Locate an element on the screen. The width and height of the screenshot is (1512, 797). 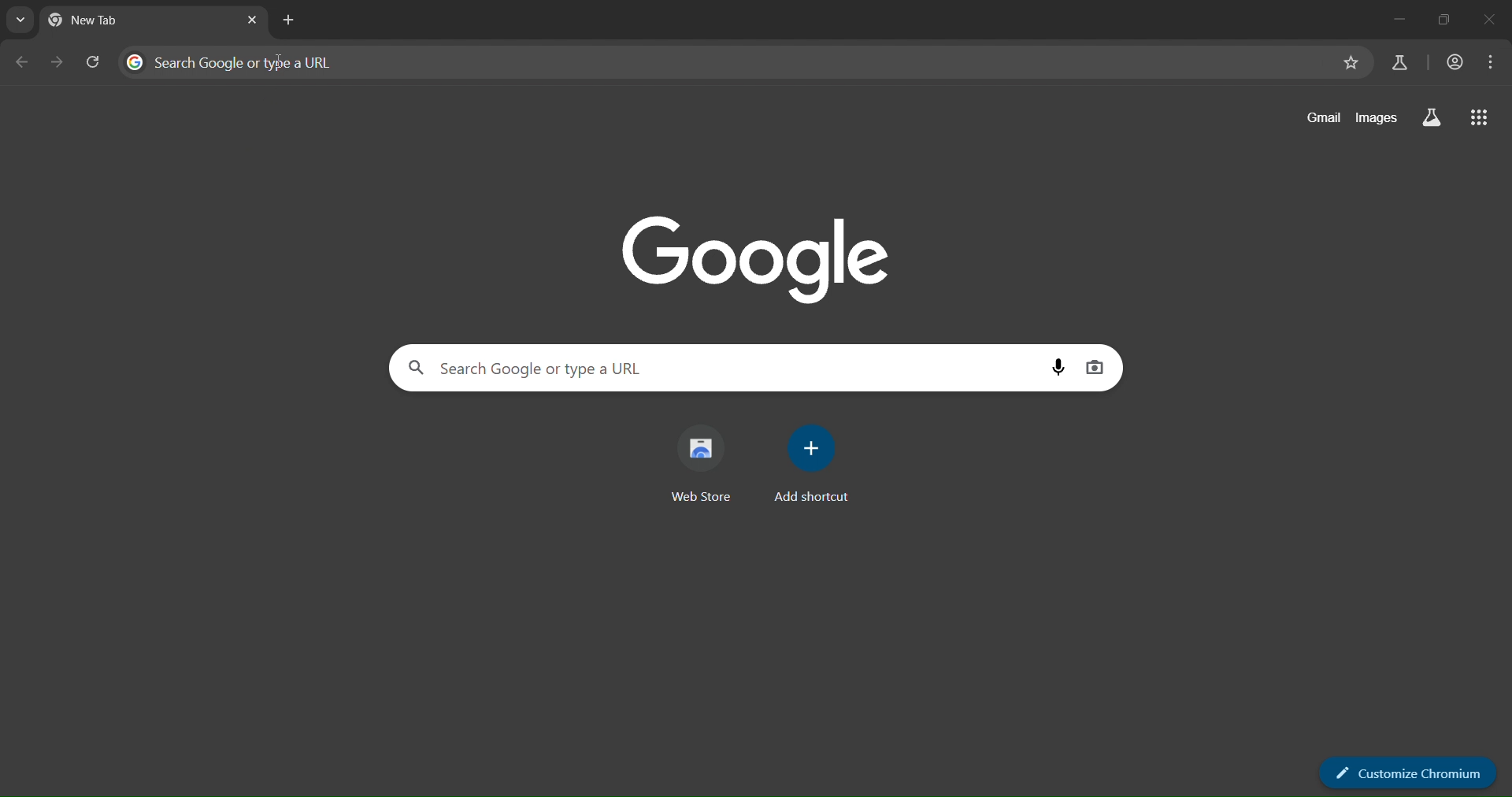
customize chromium is located at coordinates (1410, 773).